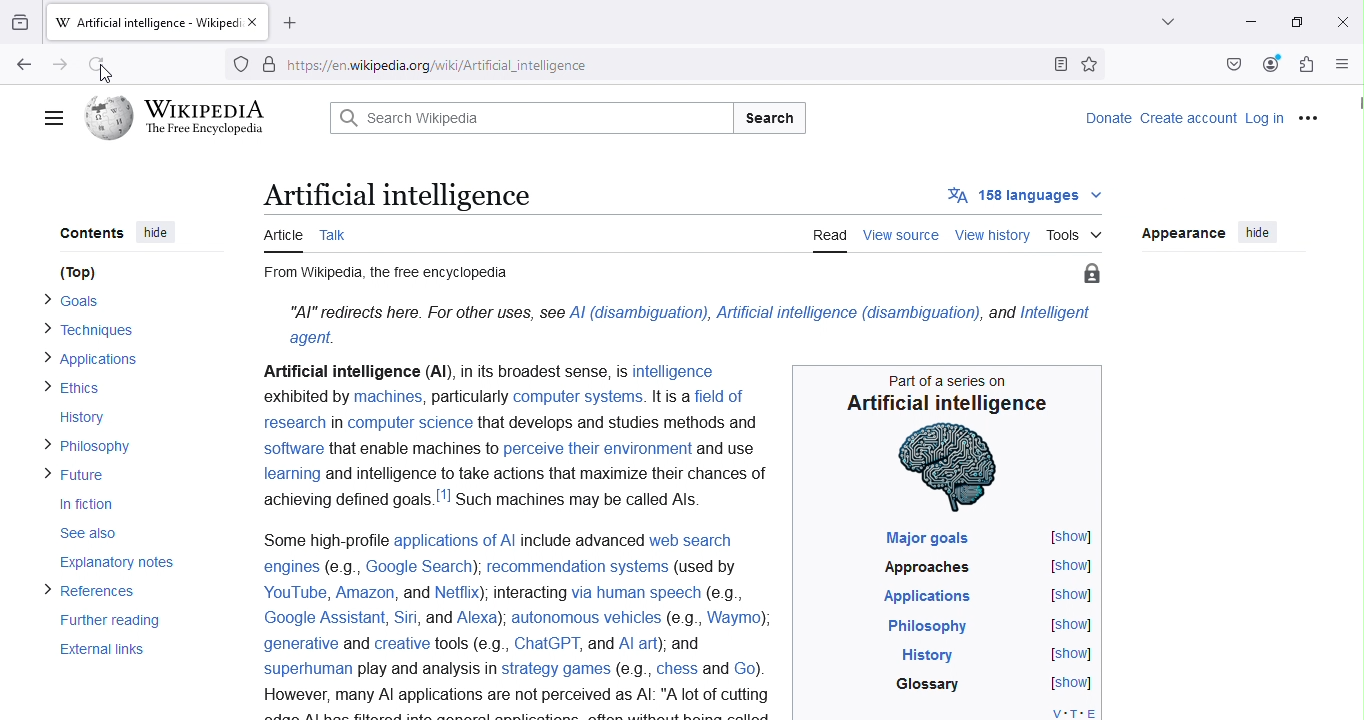 This screenshot has height=720, width=1364. Describe the element at coordinates (1192, 345) in the screenshot. I see `Standard` at that location.